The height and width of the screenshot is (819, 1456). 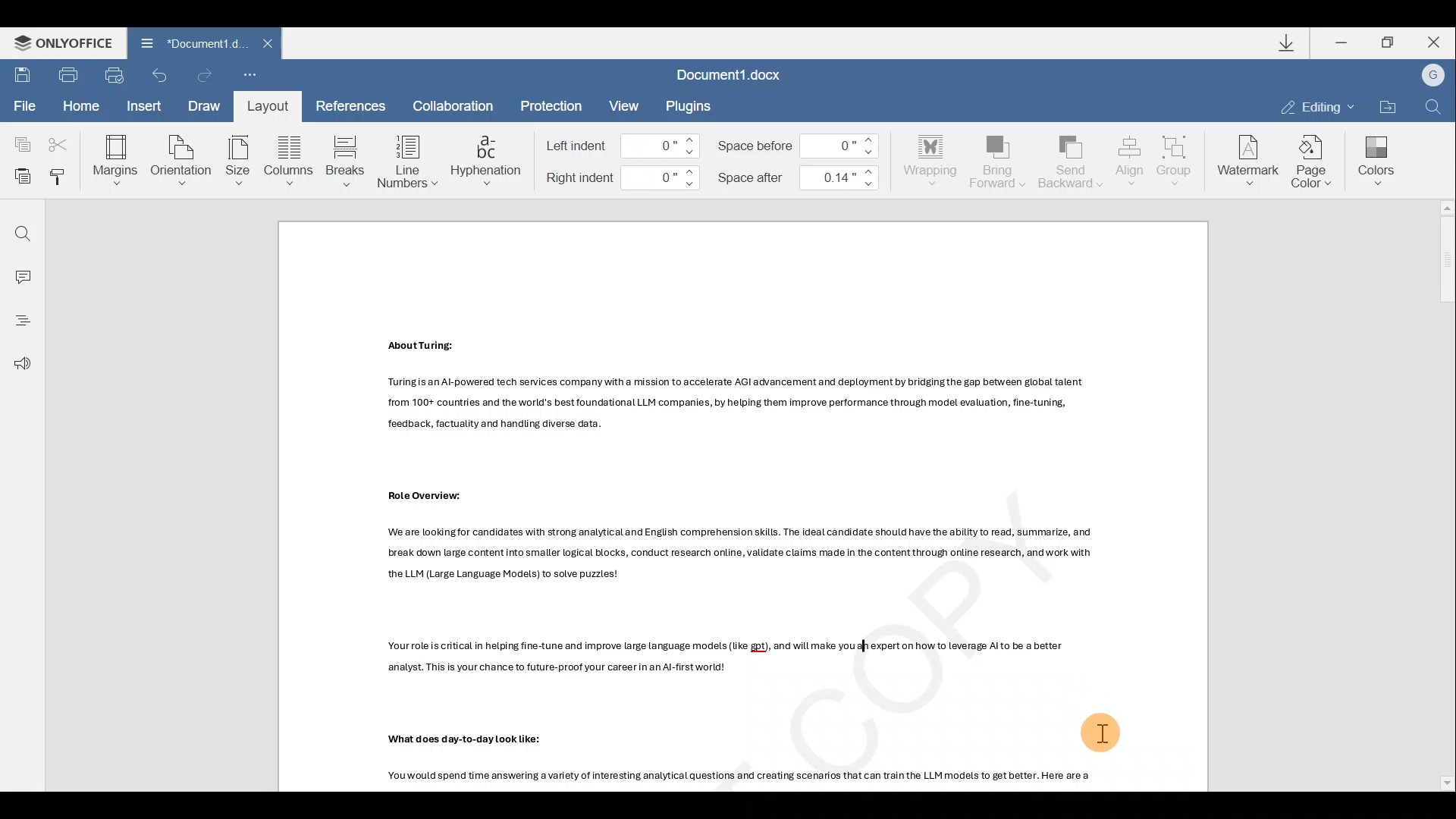 I want to click on Align, so click(x=1130, y=162).